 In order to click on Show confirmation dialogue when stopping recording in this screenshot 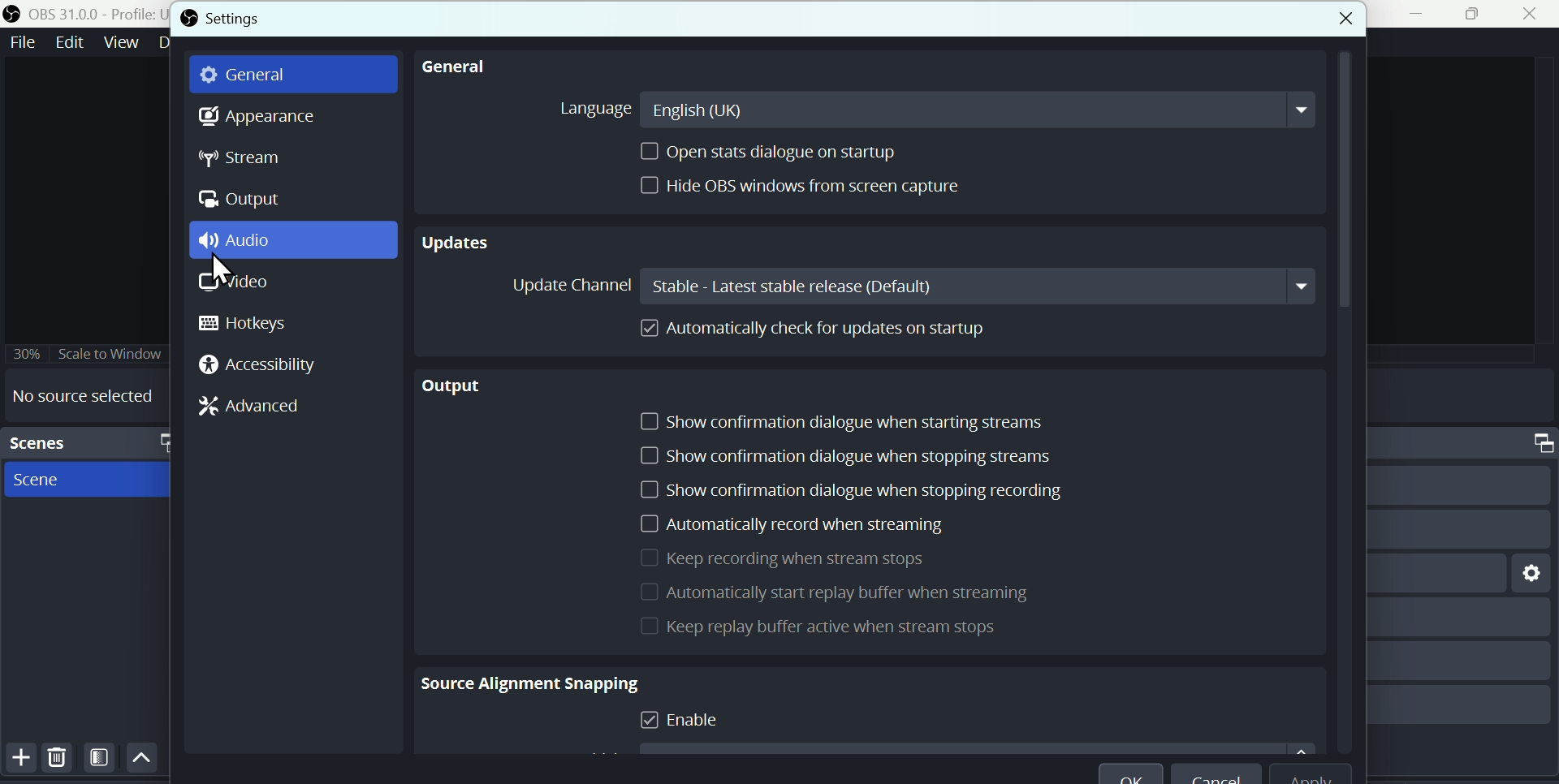, I will do `click(862, 489)`.